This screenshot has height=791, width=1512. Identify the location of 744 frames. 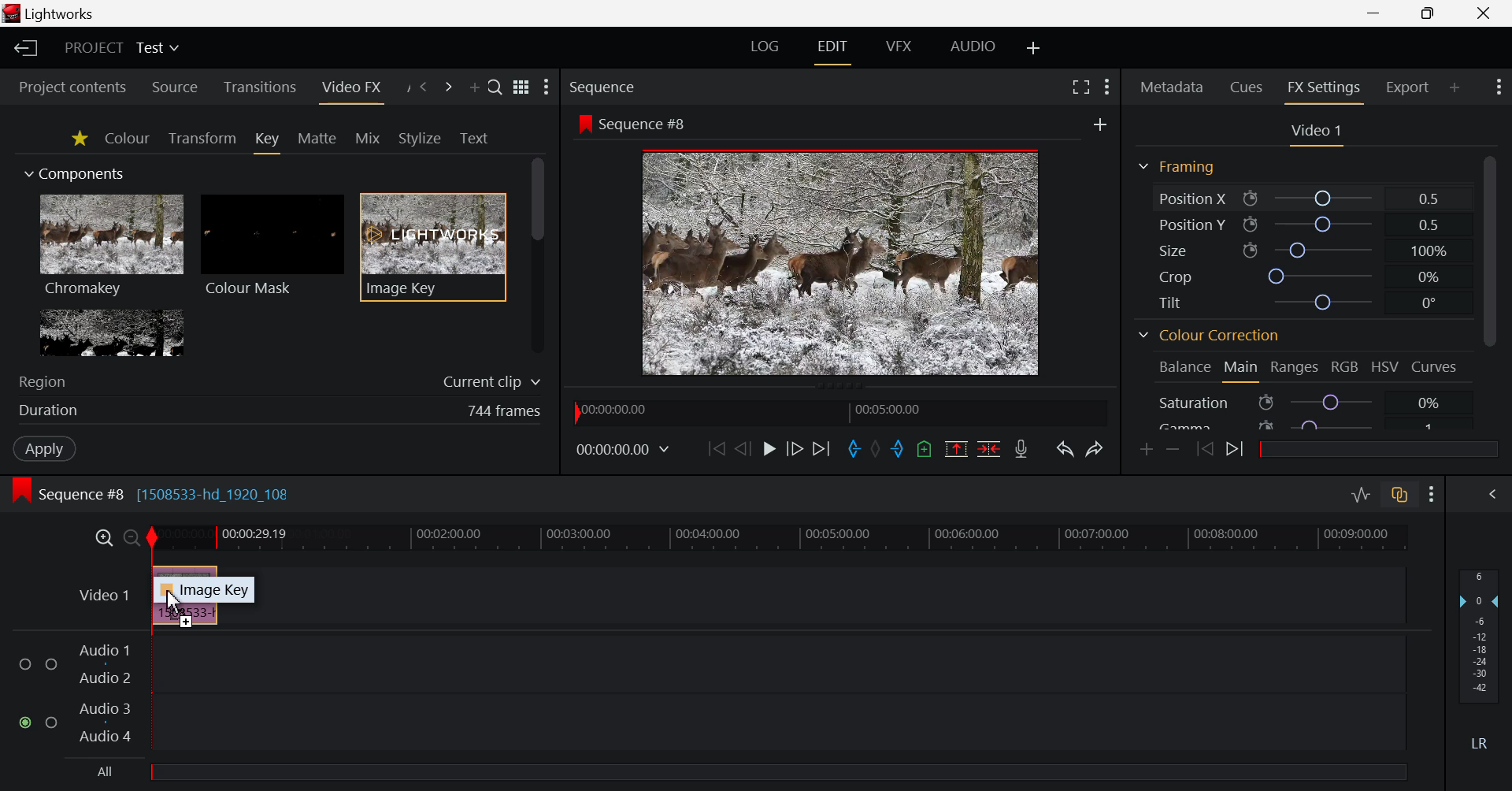
(506, 411).